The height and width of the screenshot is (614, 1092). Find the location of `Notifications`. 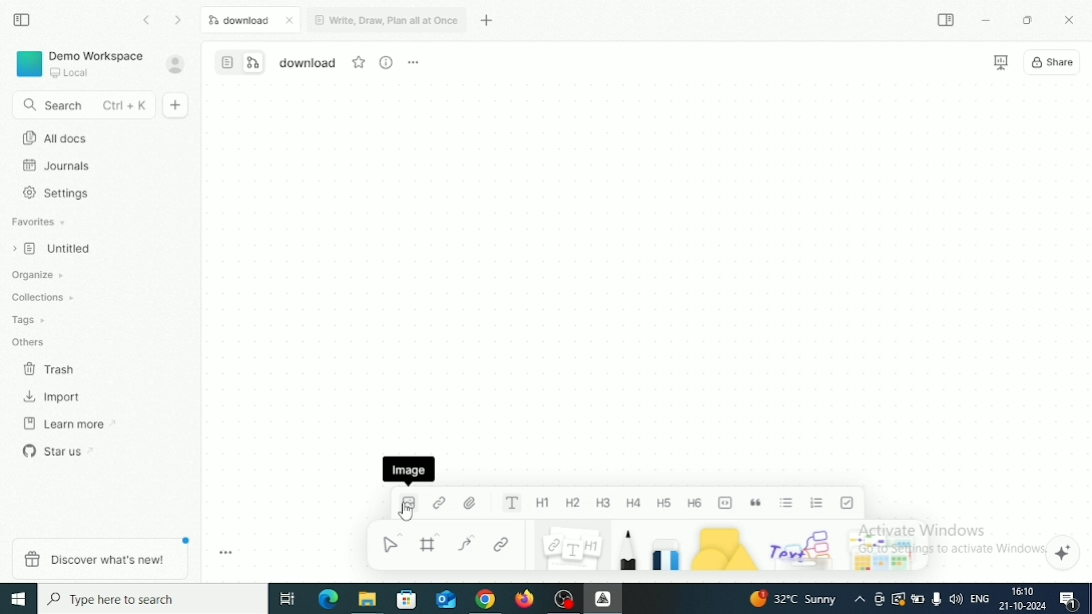

Notifications is located at coordinates (1071, 600).